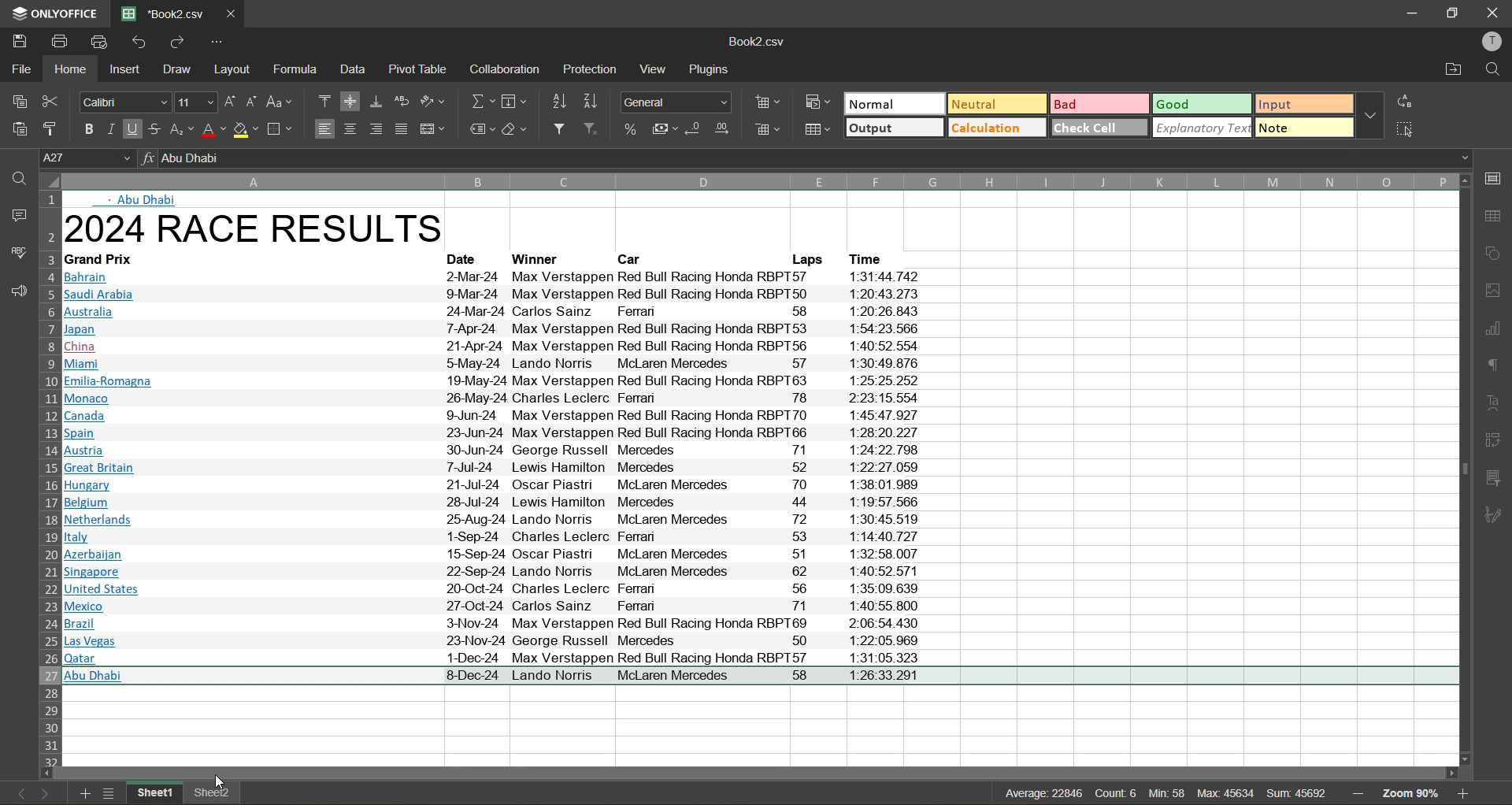 The width and height of the screenshot is (1512, 805). What do you see at coordinates (17, 792) in the screenshot?
I see `previous` at bounding box center [17, 792].